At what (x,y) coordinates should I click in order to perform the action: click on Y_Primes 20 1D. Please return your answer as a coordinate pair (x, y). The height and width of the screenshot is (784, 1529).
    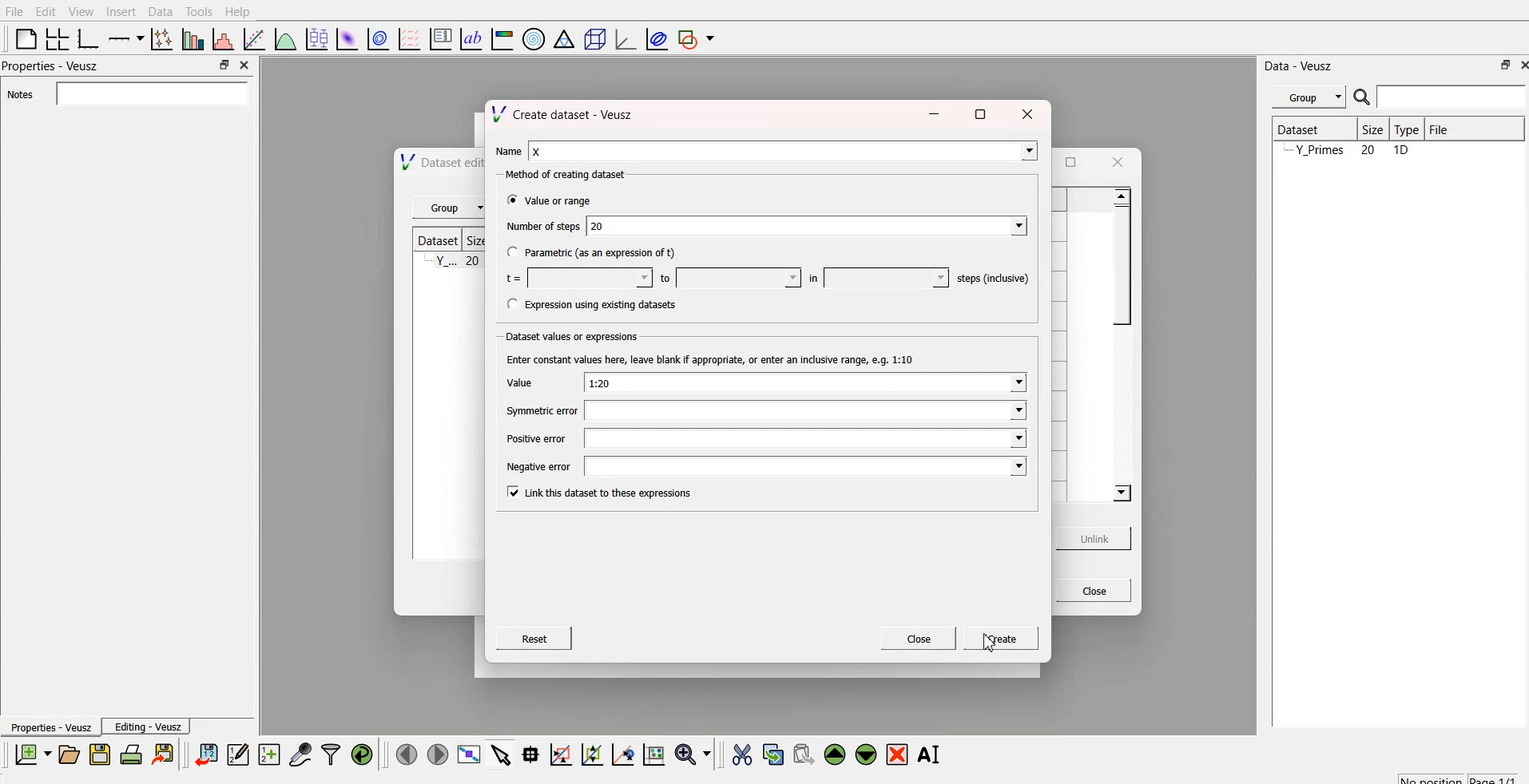
    Looking at the image, I should click on (1344, 151).